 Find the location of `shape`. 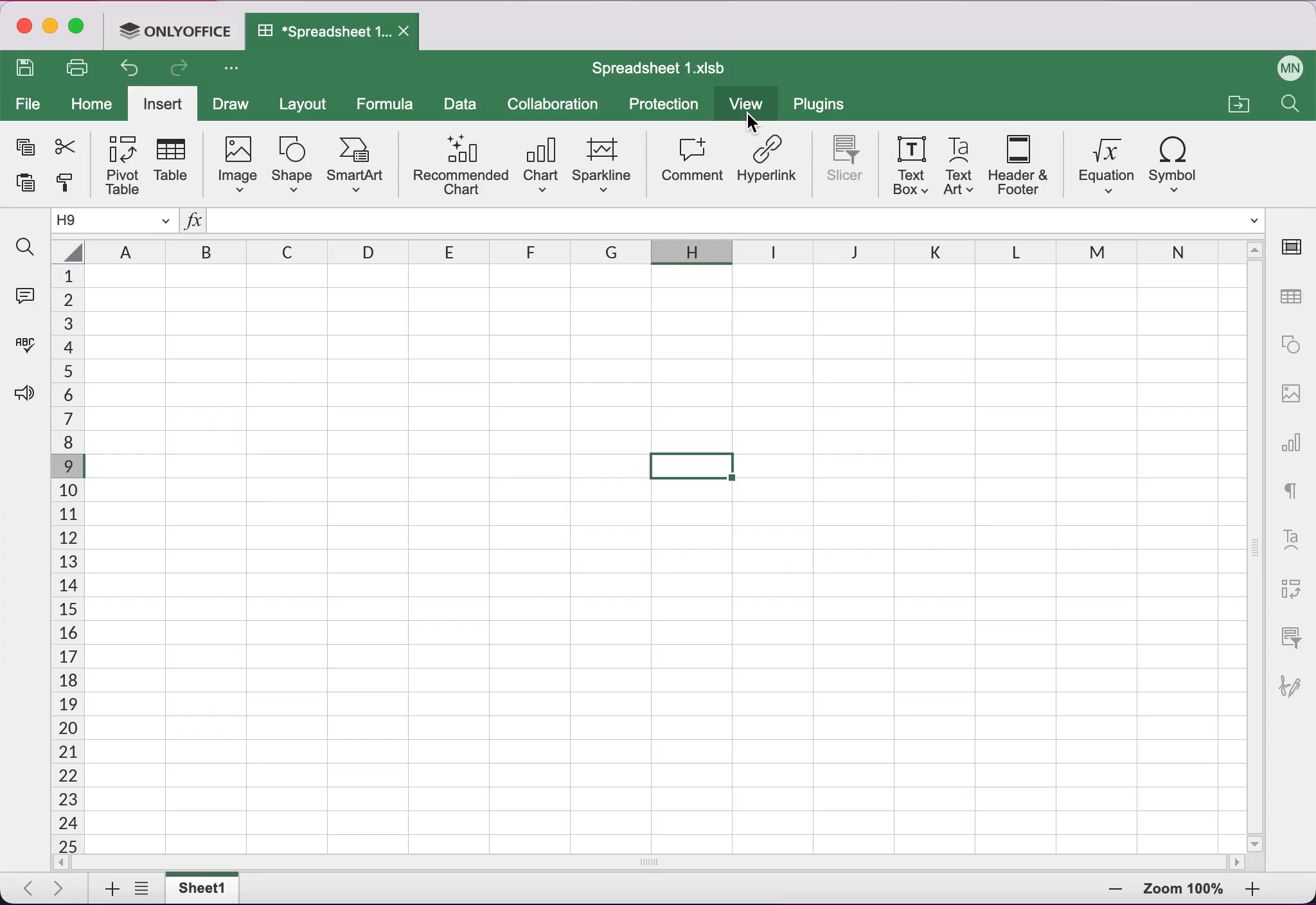

shape is located at coordinates (1290, 349).